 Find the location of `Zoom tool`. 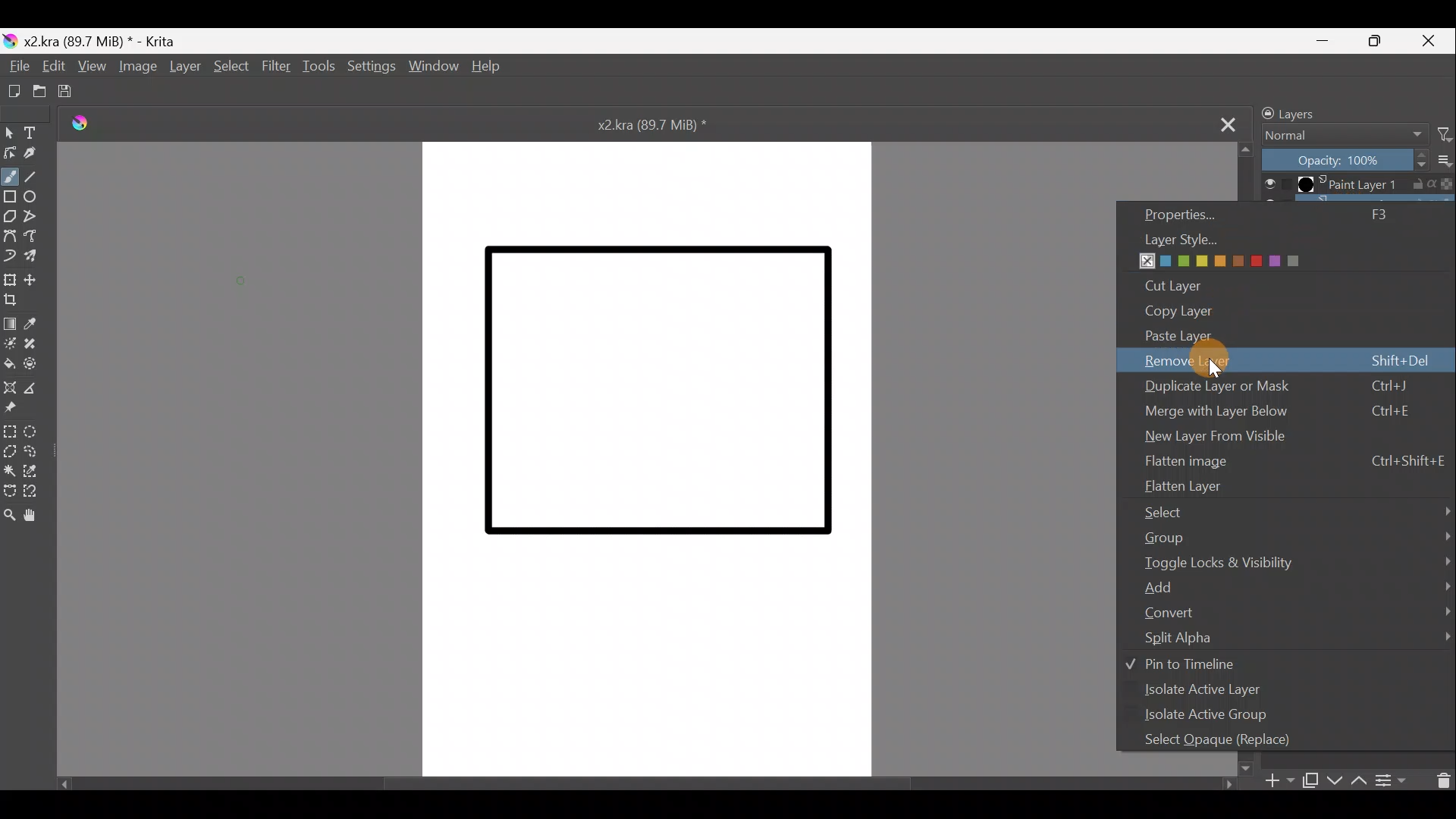

Zoom tool is located at coordinates (9, 511).